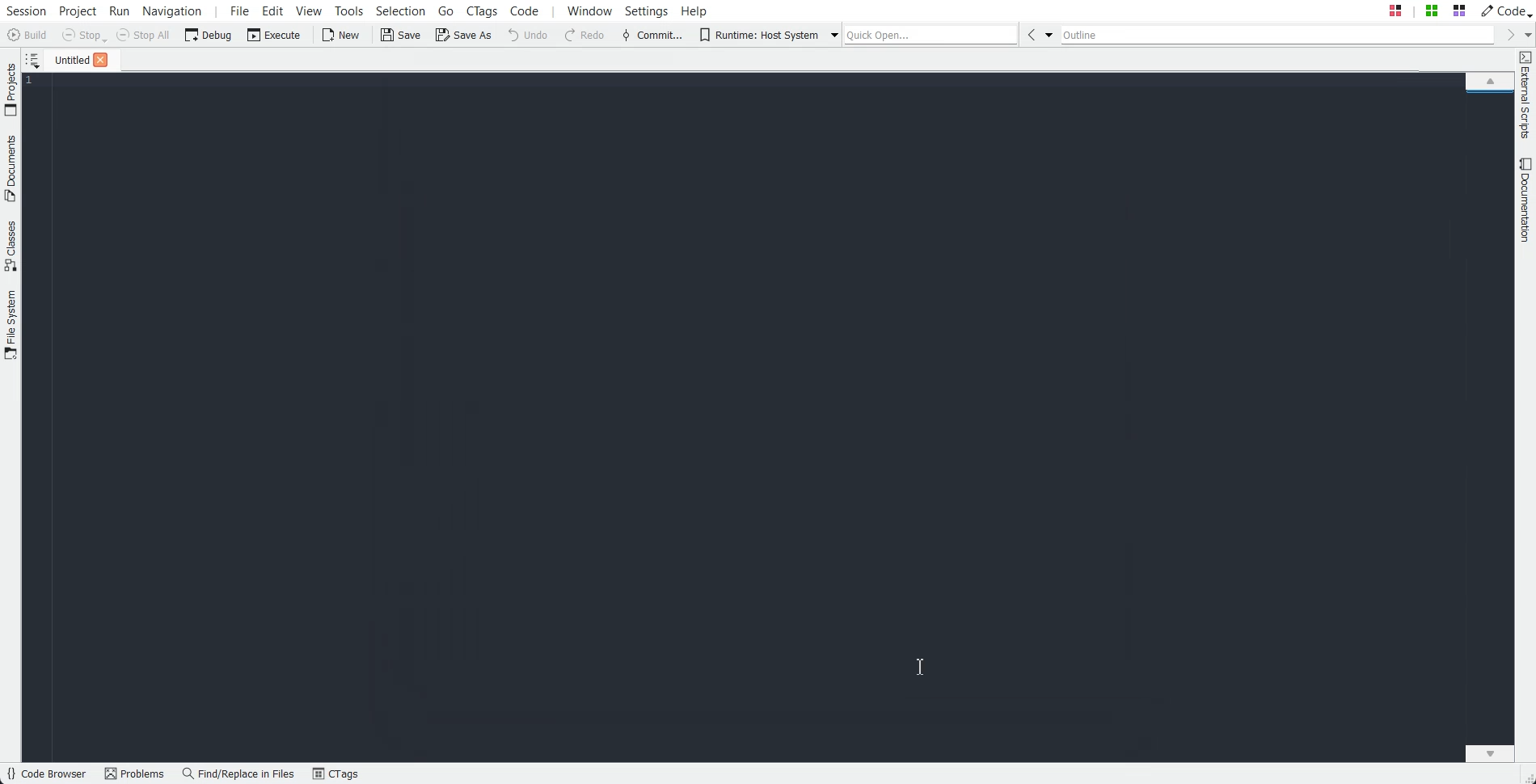  I want to click on Runtime: Host System, so click(758, 35).